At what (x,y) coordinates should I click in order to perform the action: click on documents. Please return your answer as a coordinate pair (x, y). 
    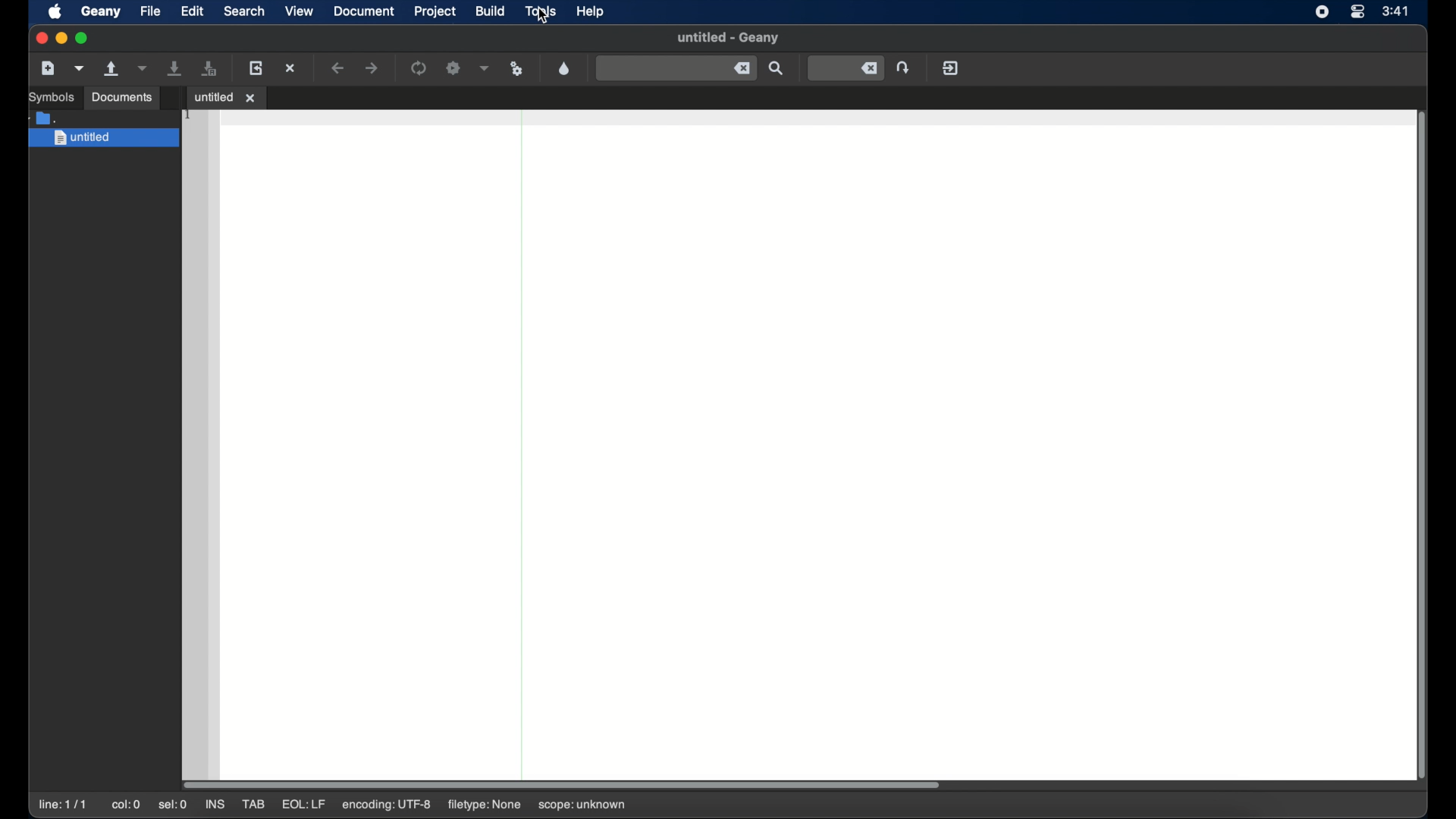
    Looking at the image, I should click on (121, 98).